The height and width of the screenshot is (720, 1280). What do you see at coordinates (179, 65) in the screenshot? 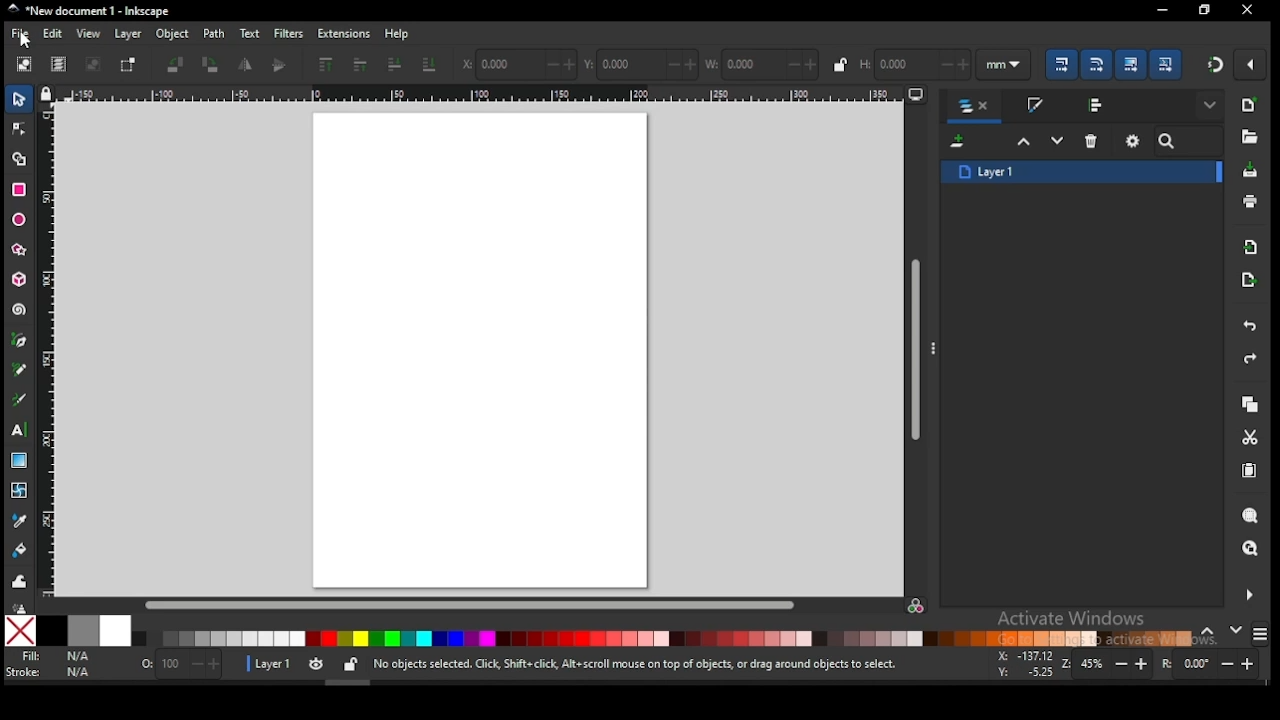
I see `object rotate 90 CCW` at bounding box center [179, 65].